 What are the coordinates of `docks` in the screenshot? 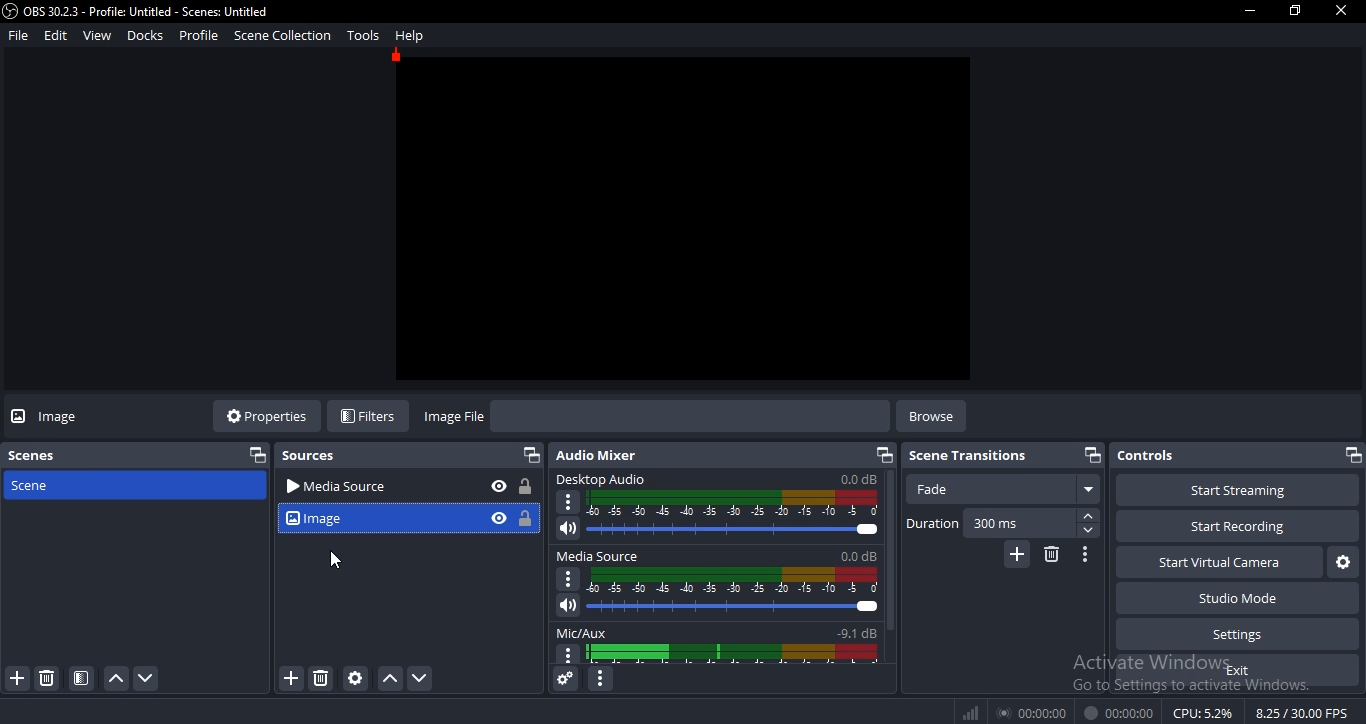 It's located at (146, 36).